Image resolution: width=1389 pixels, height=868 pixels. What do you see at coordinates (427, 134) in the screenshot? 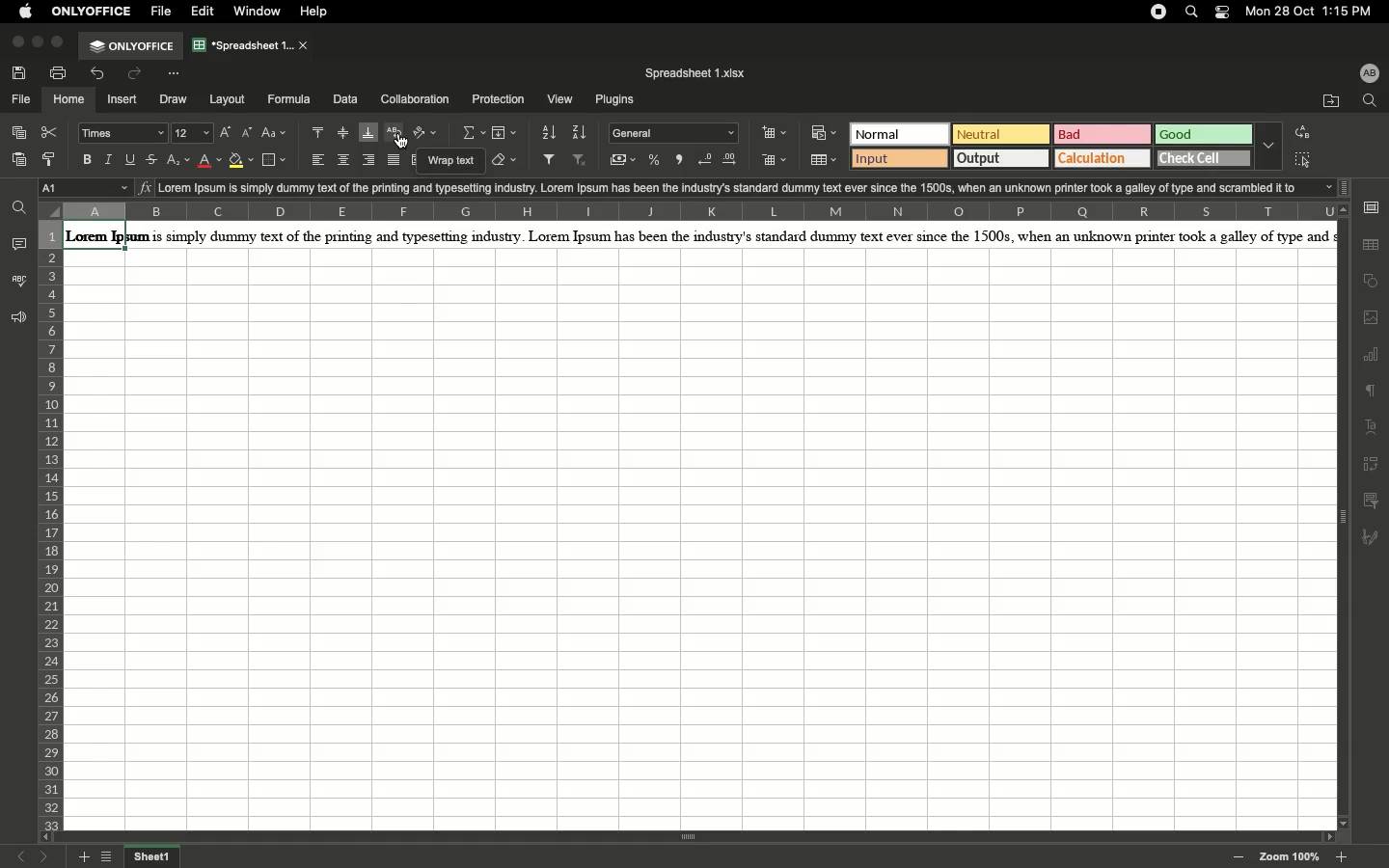
I see `Orientation` at bounding box center [427, 134].